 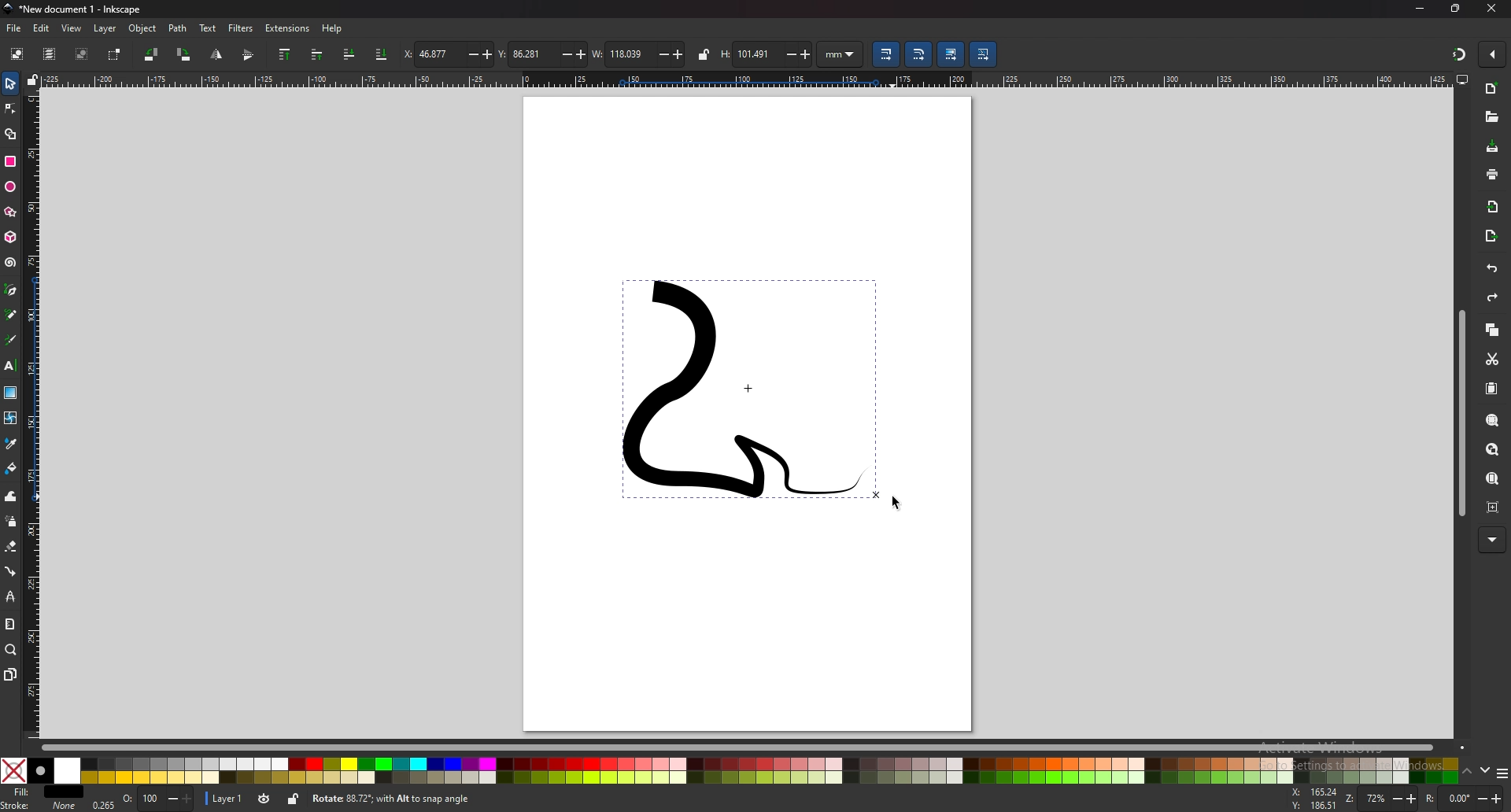 I want to click on fill, so click(x=40, y=791).